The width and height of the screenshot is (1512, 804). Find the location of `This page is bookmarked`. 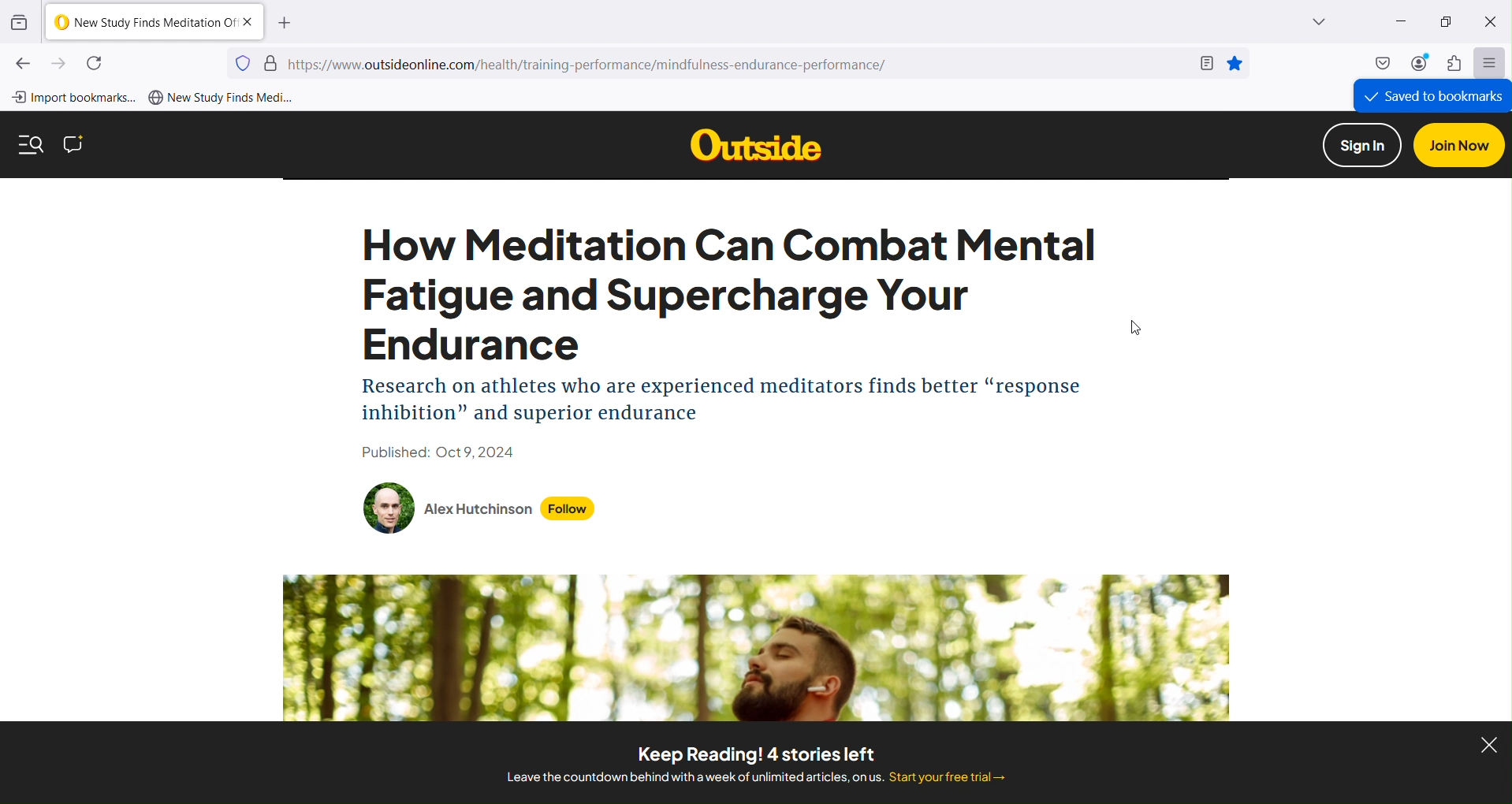

This page is bookmarked is located at coordinates (1235, 63).